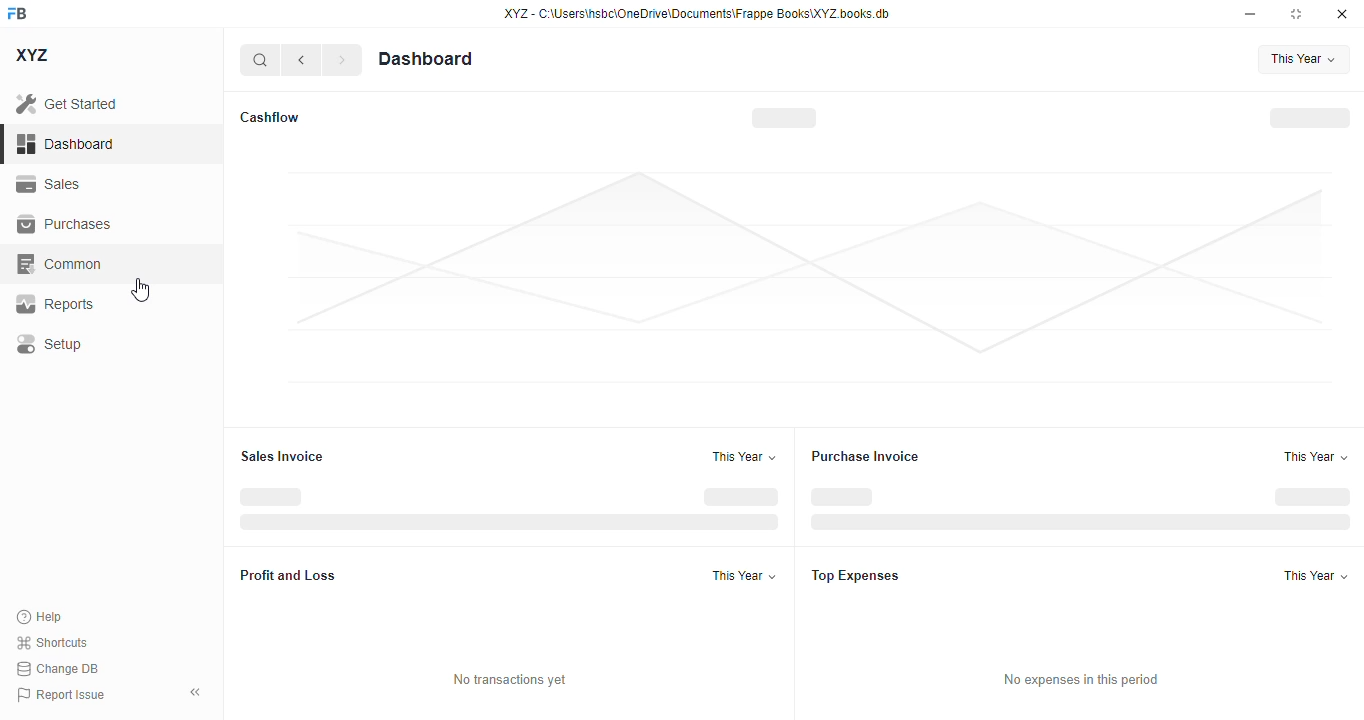  Describe the element at coordinates (1314, 456) in the screenshot. I see `this year` at that location.